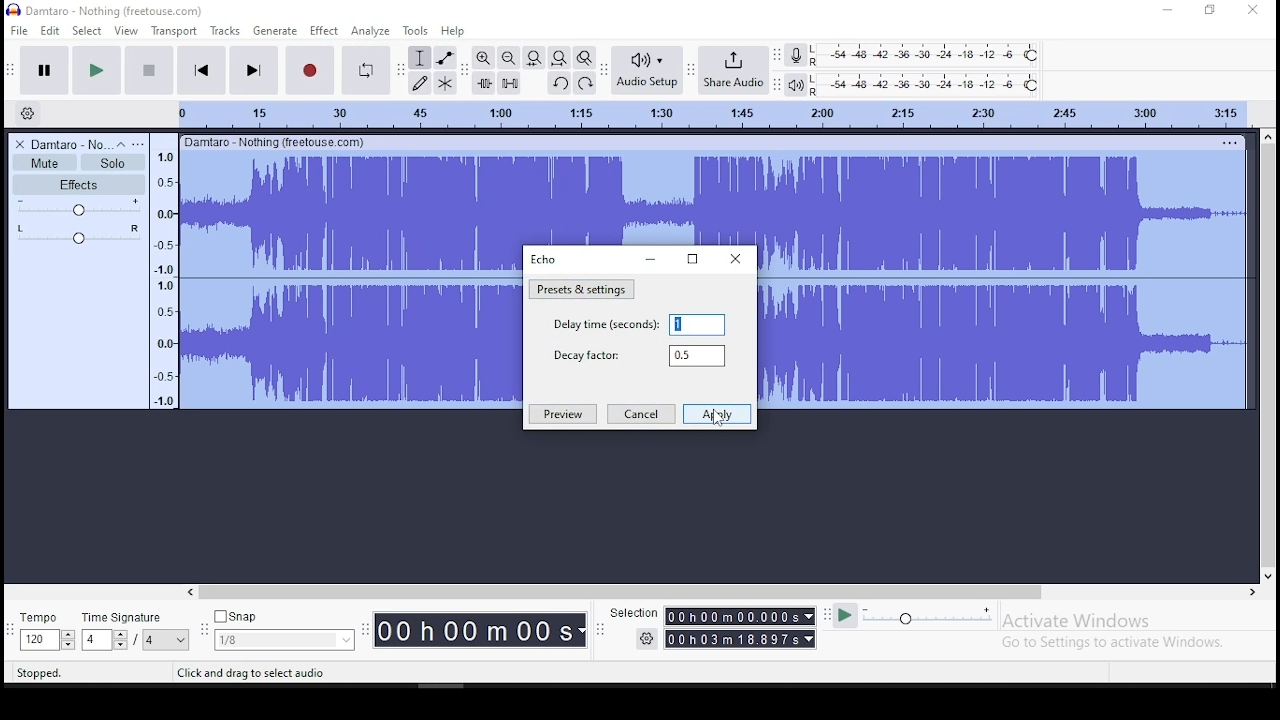  I want to click on Drop down, so click(178, 640).